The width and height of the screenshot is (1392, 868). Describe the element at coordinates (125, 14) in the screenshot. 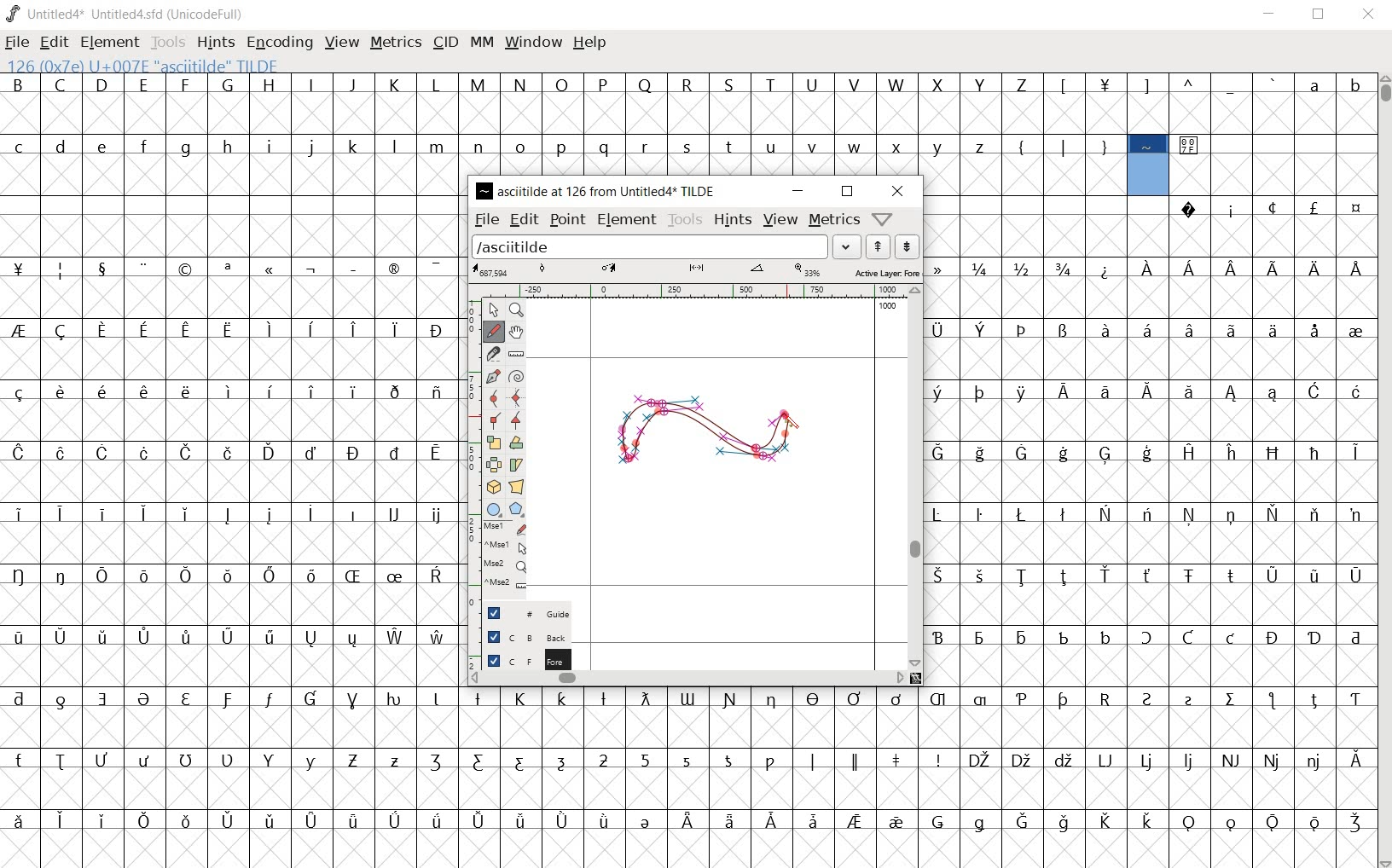

I see `Untitled4* Untitled4.sfd (UnicodeFull)` at that location.